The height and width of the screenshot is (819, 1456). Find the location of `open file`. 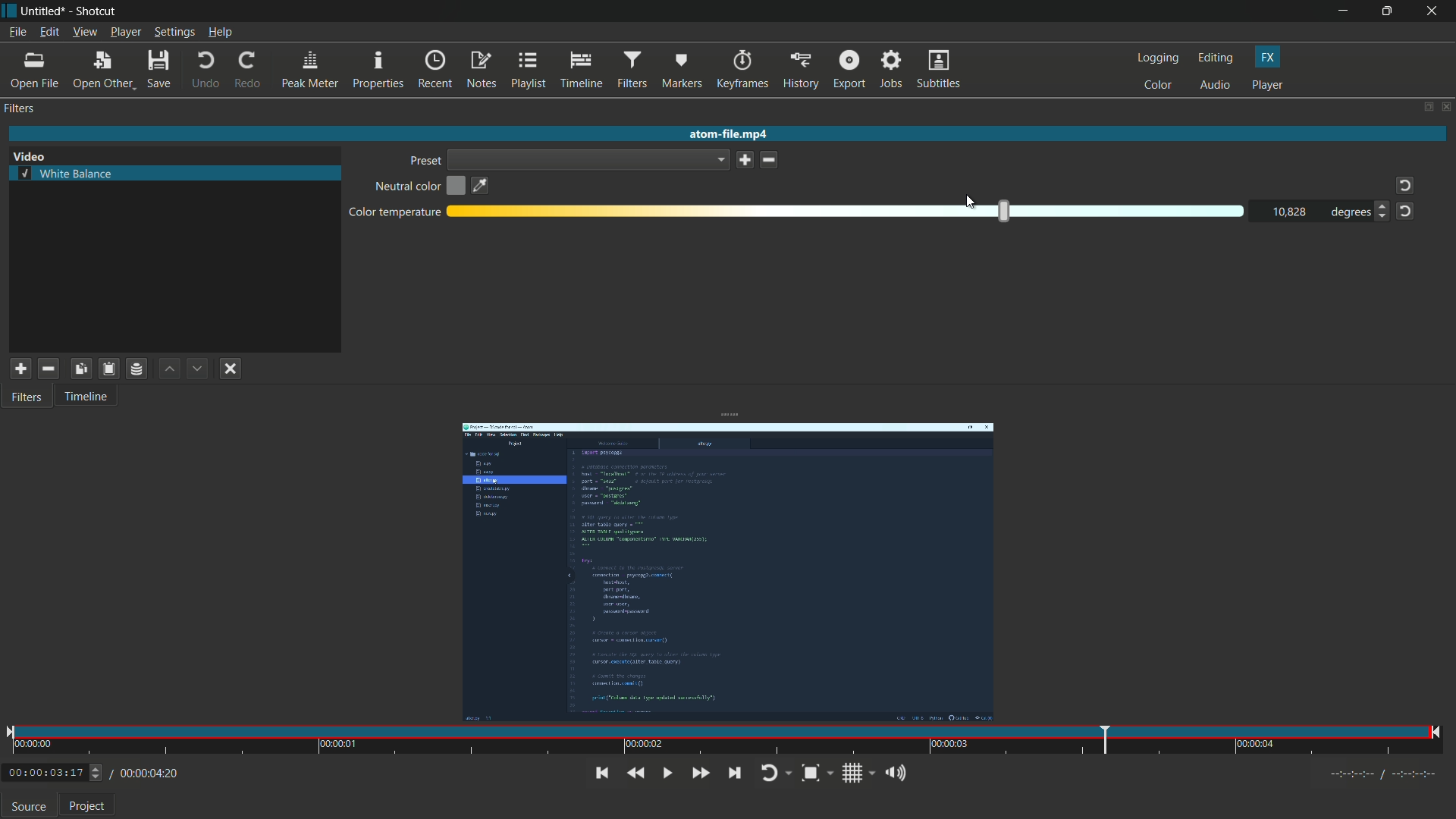

open file is located at coordinates (36, 70).